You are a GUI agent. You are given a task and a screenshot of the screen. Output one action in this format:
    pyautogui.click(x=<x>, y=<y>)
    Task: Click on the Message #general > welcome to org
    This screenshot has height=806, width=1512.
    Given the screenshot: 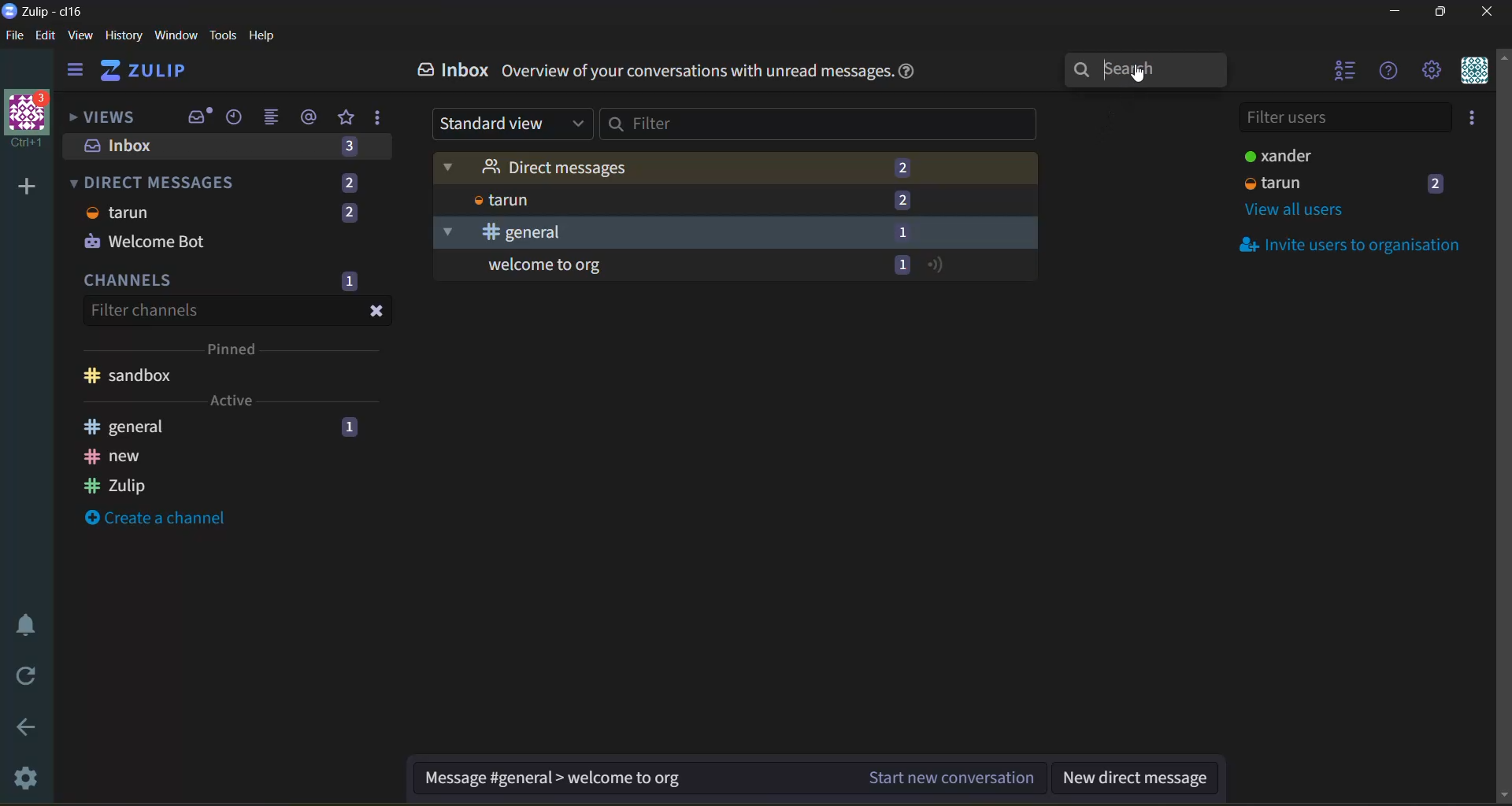 What is the action you would take?
    pyautogui.click(x=552, y=779)
    